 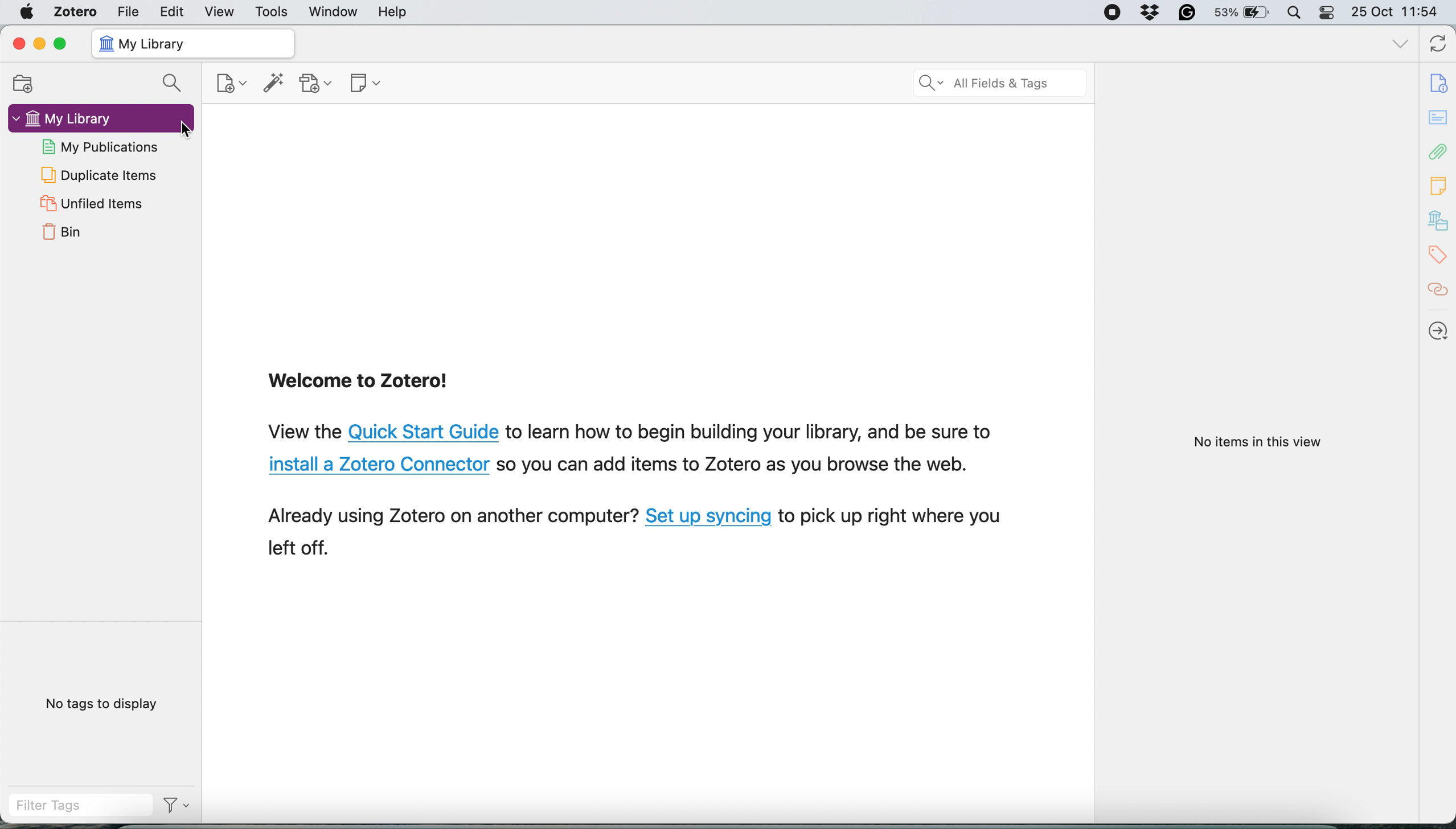 I want to click on new note, so click(x=364, y=84).